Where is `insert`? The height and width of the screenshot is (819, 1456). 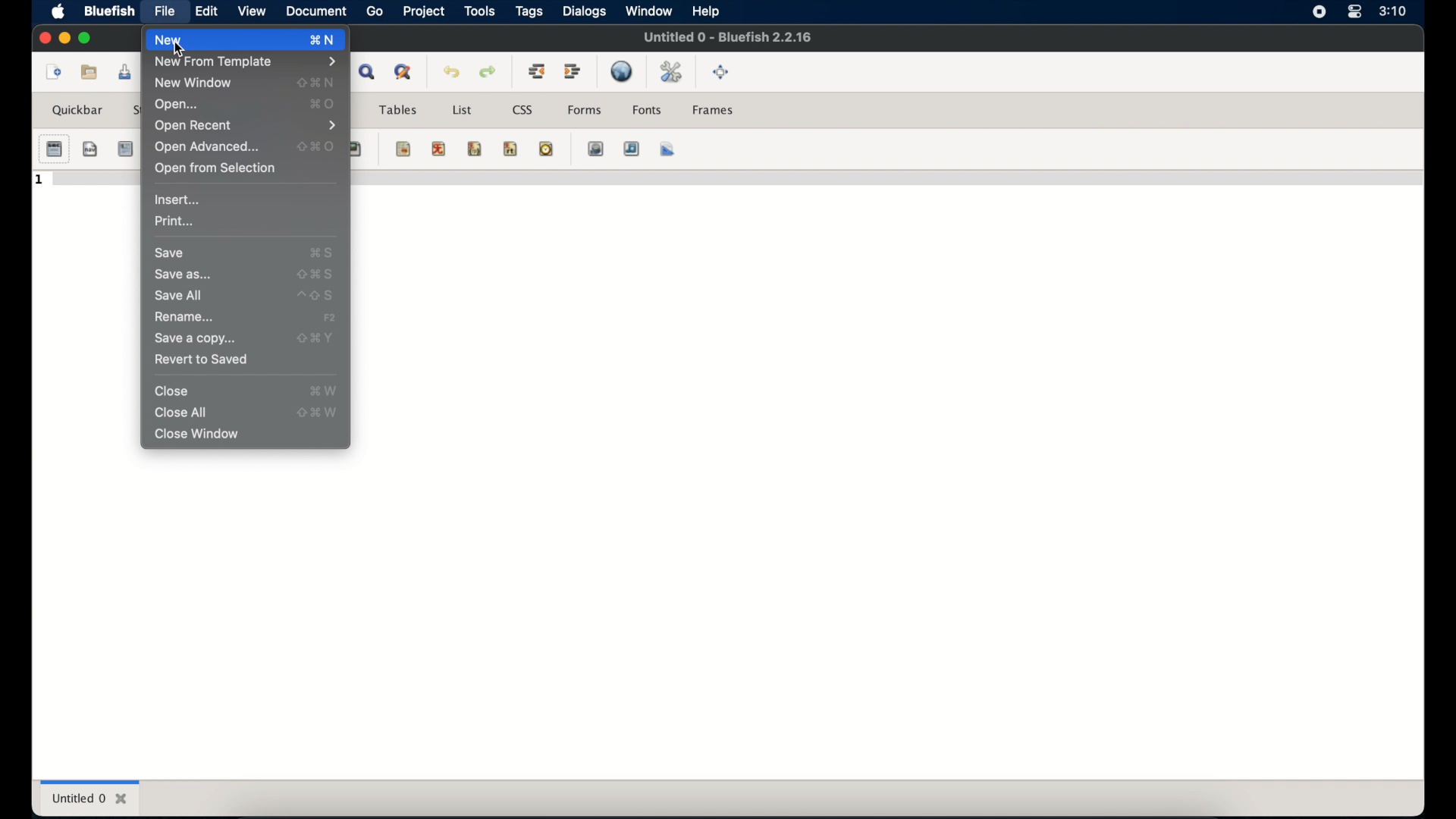
insert is located at coordinates (180, 199).